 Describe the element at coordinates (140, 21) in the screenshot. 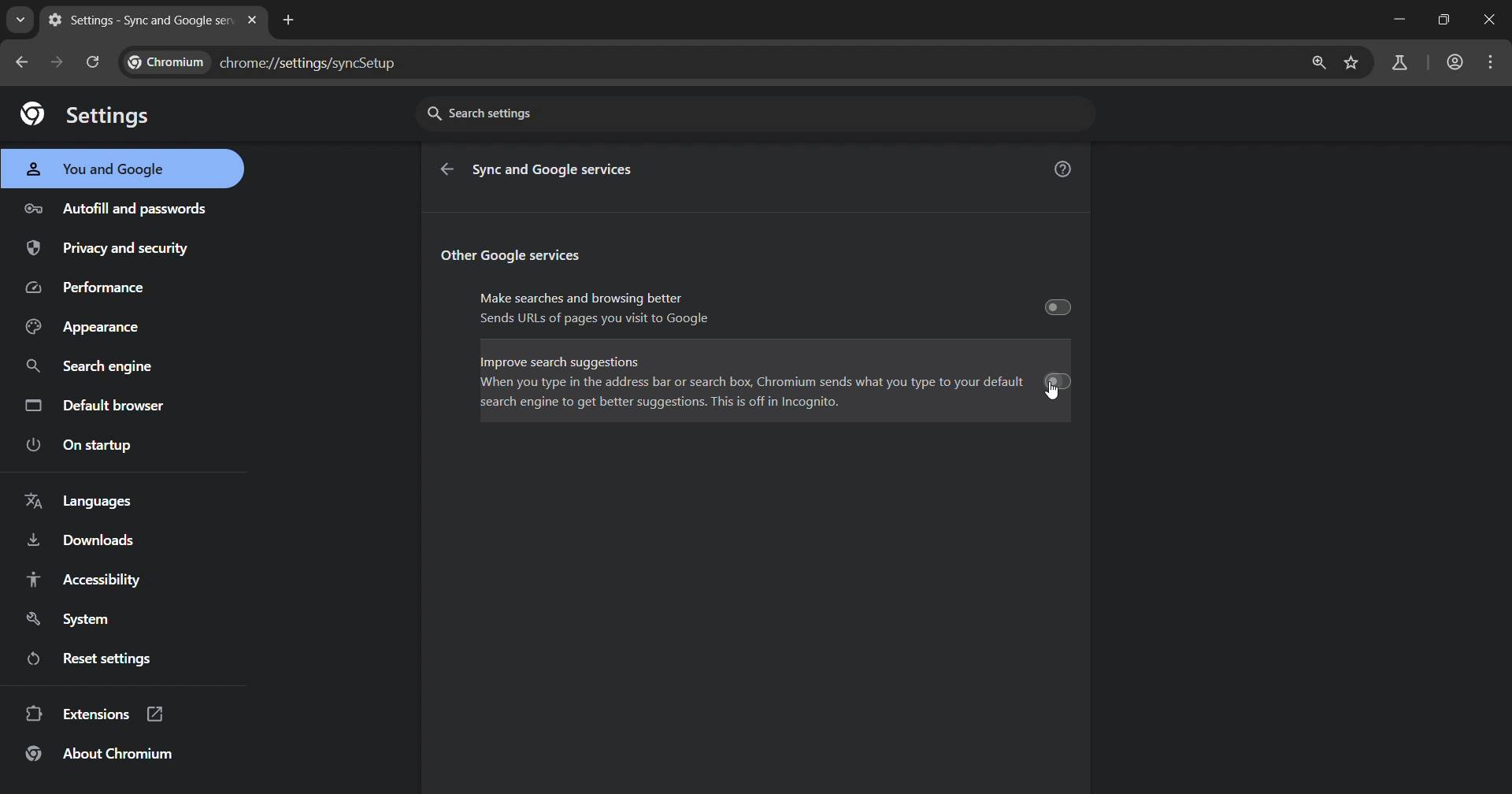

I see `new tab` at that location.